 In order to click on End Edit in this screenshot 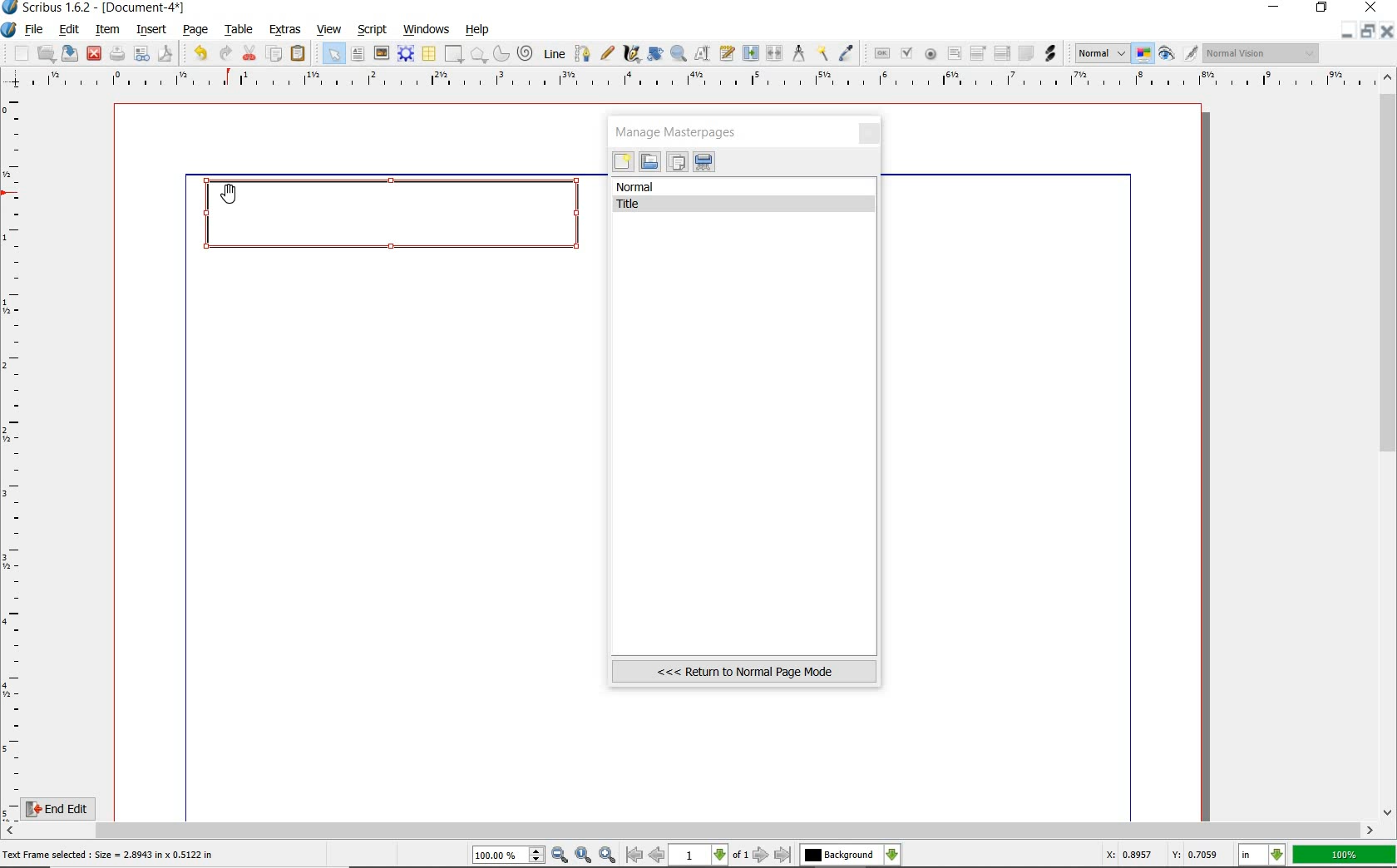, I will do `click(71, 808)`.